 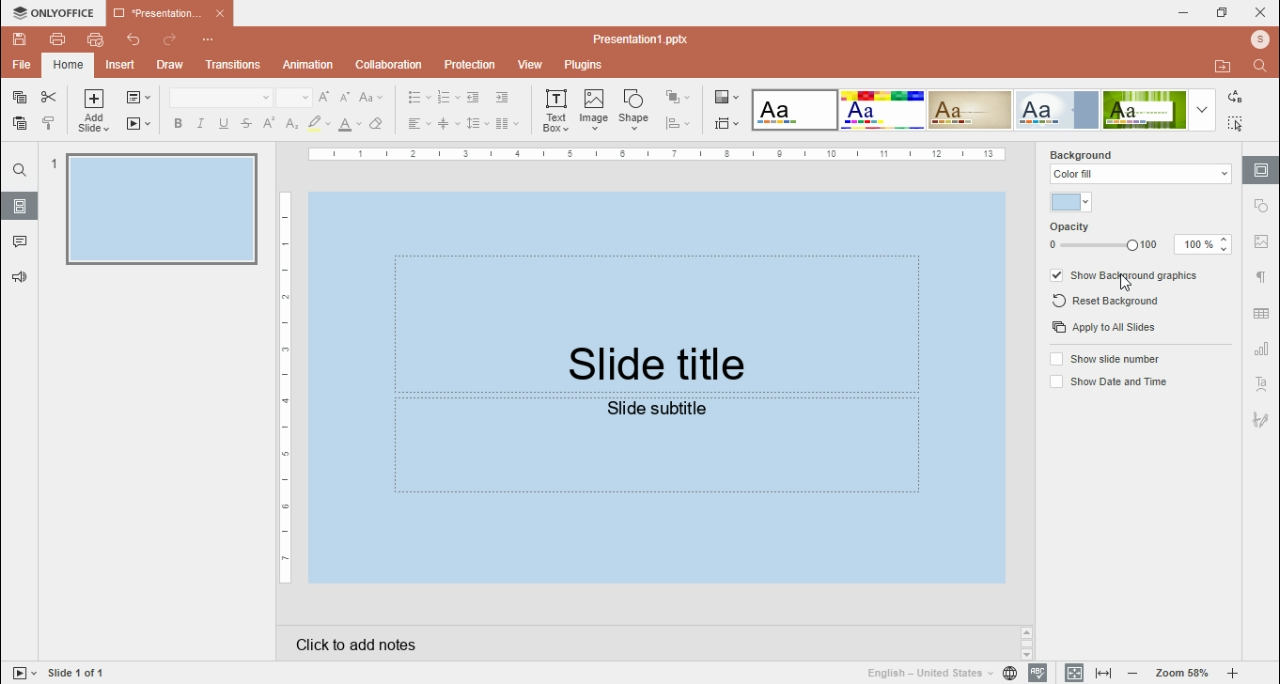 I want to click on cut, so click(x=48, y=97).